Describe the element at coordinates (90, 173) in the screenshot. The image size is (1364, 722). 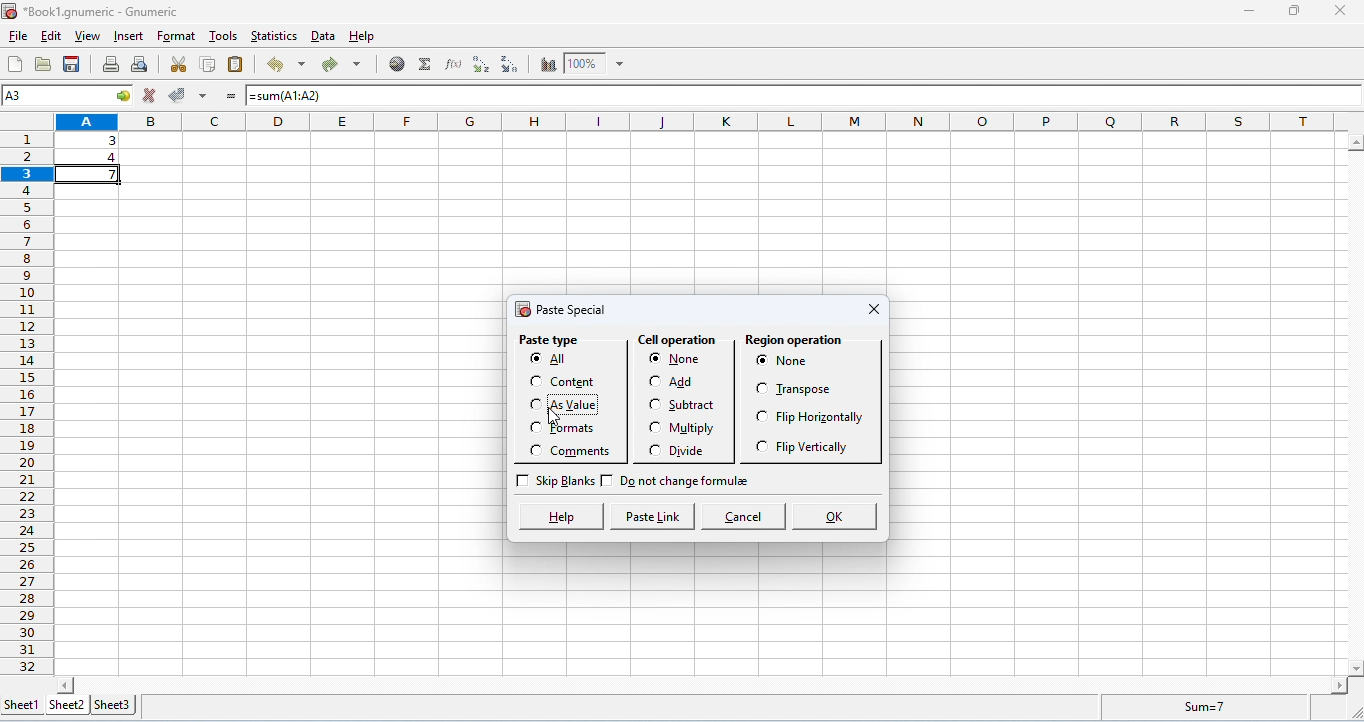
I see `cell copied` at that location.